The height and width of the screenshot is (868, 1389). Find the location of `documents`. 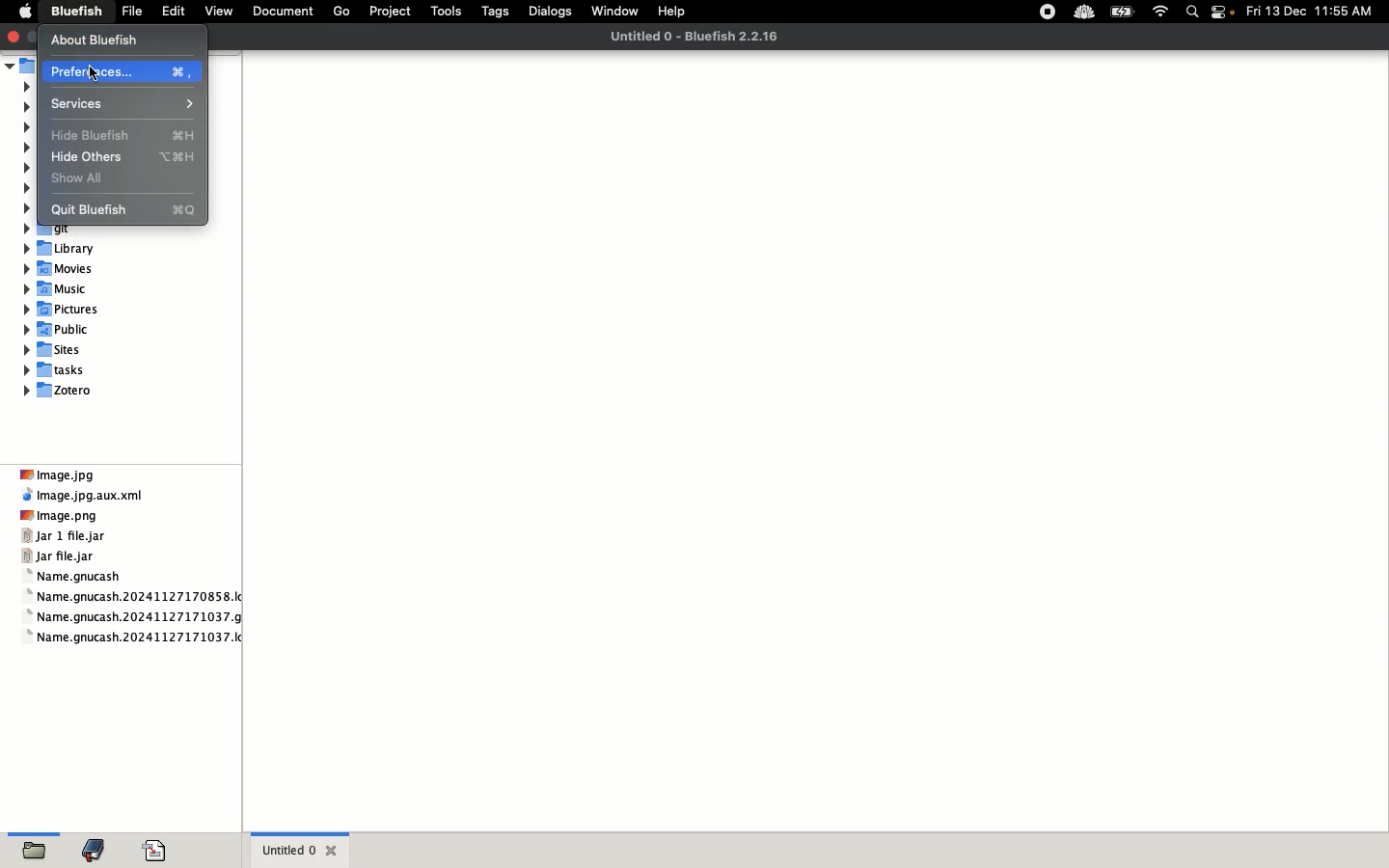

documents is located at coordinates (281, 14).